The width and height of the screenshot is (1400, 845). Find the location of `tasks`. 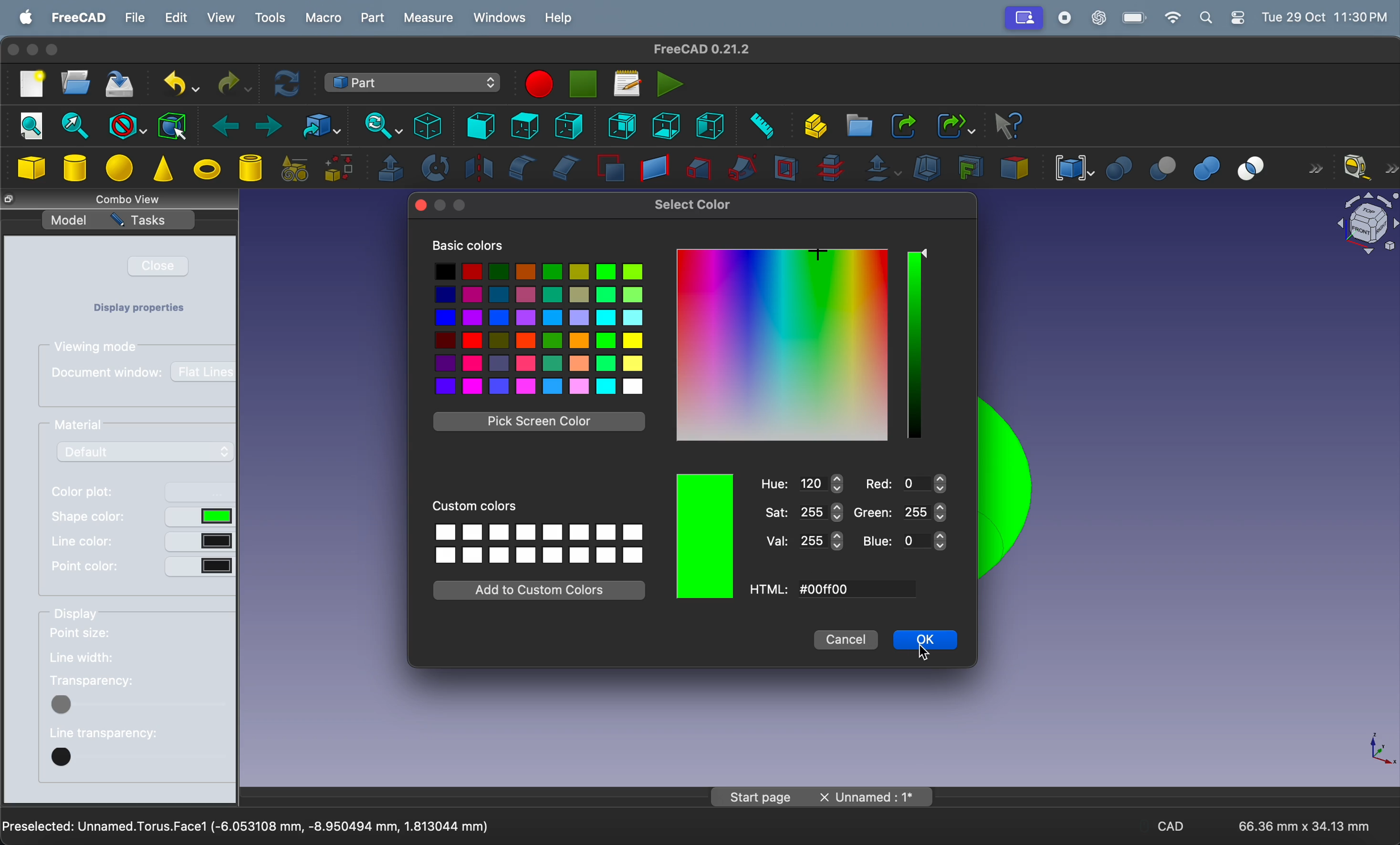

tasks is located at coordinates (147, 221).